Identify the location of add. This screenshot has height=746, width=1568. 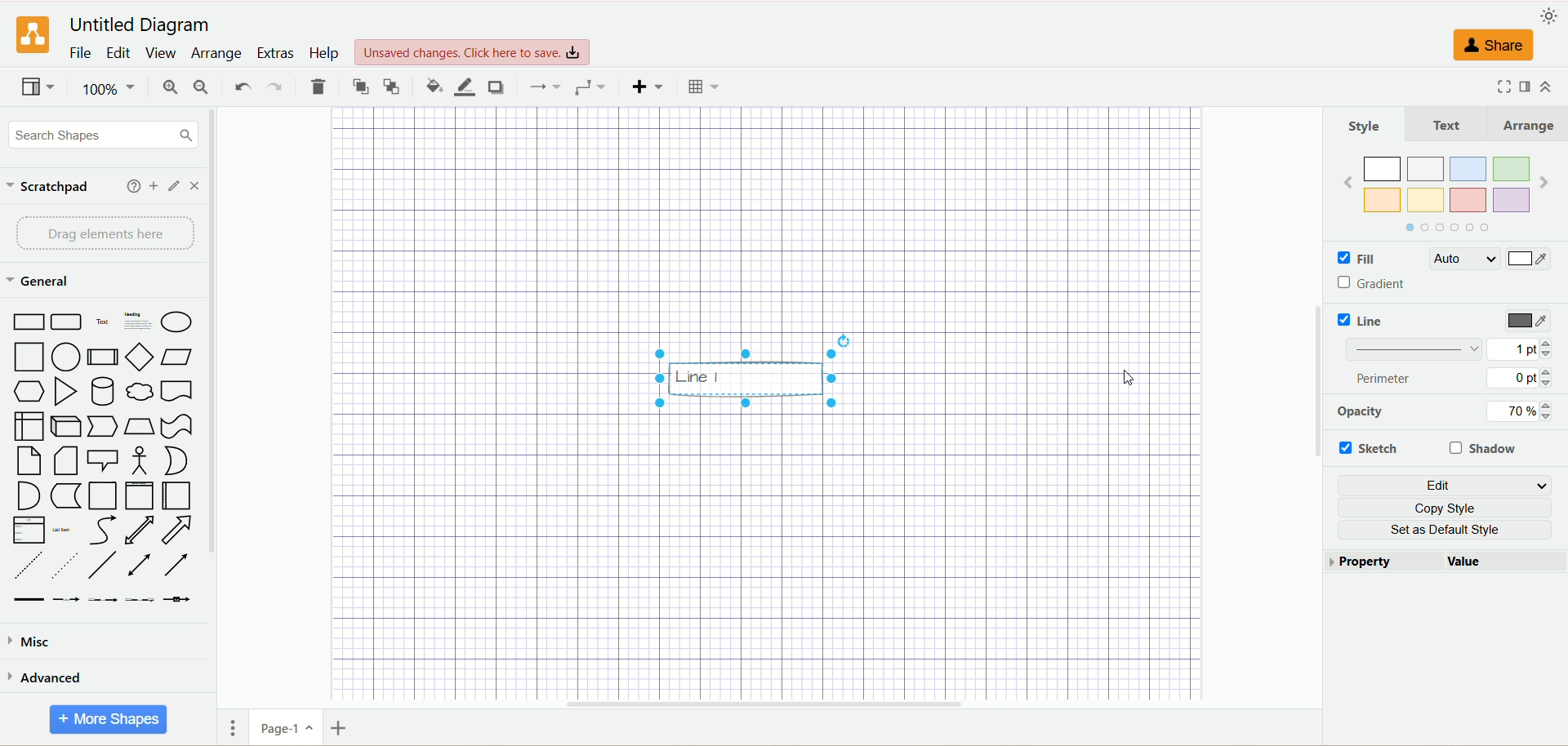
(153, 186).